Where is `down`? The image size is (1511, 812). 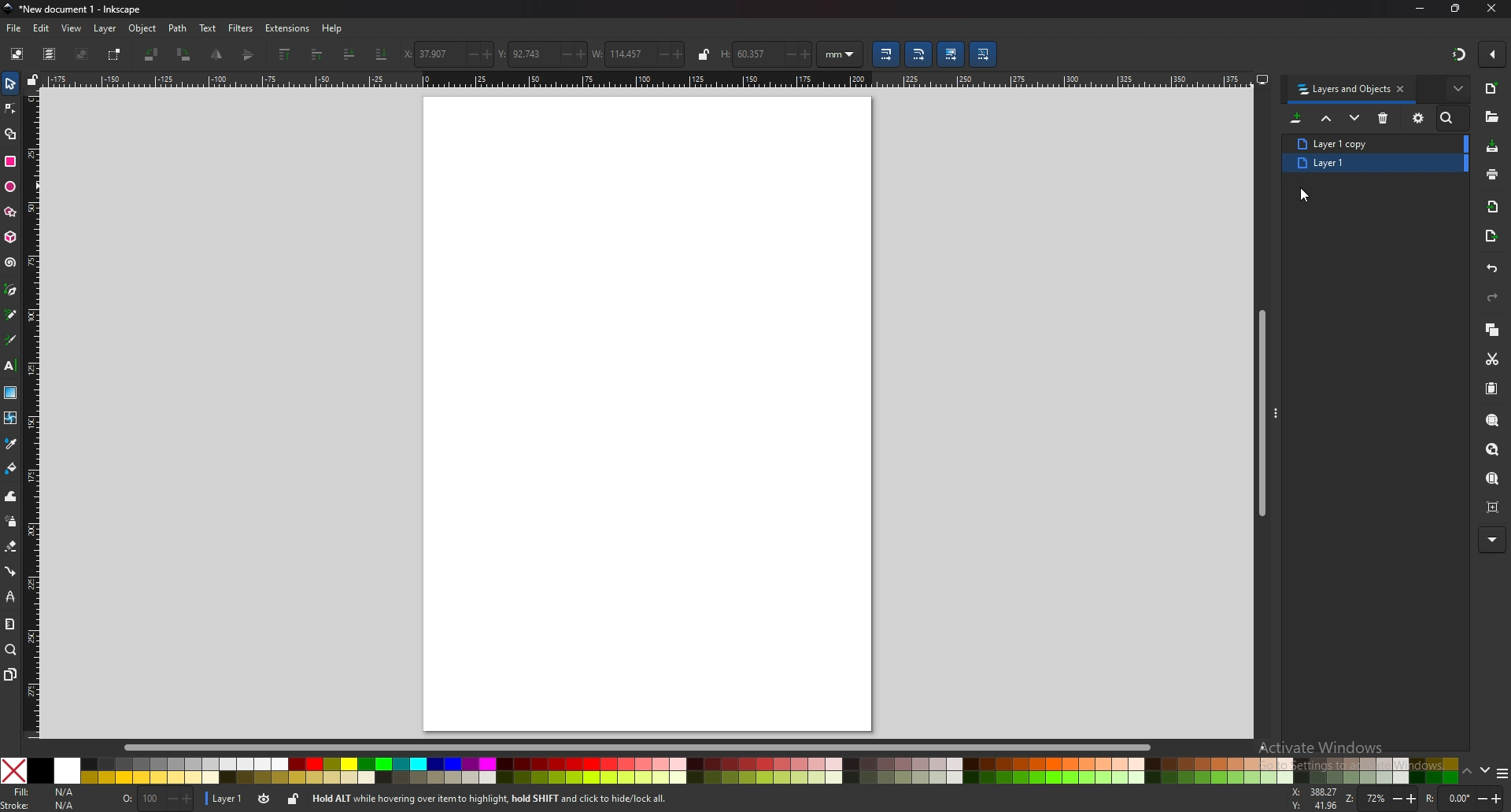 down is located at coordinates (1483, 770).